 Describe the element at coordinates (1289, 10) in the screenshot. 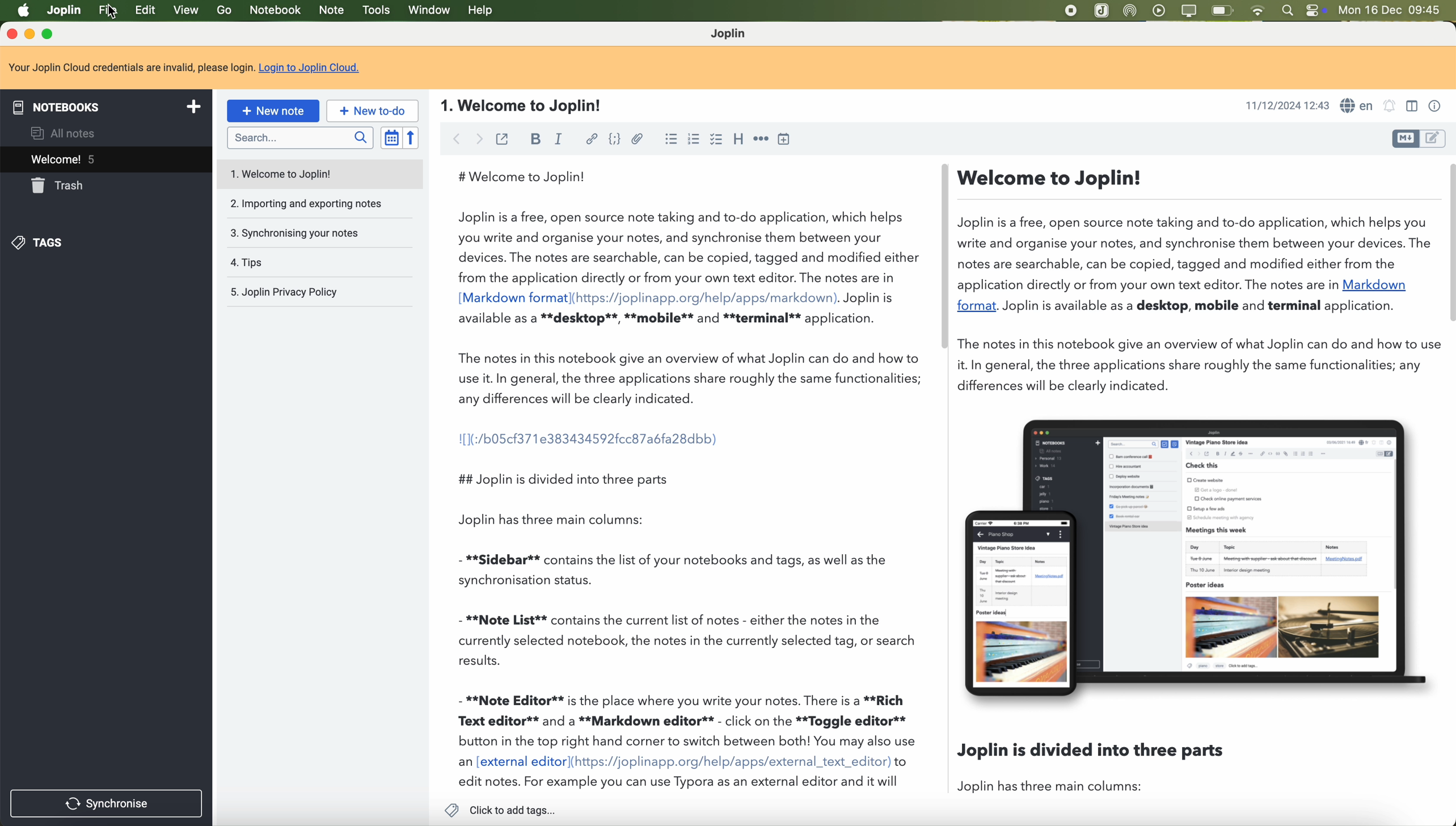

I see `spotlight search` at that location.